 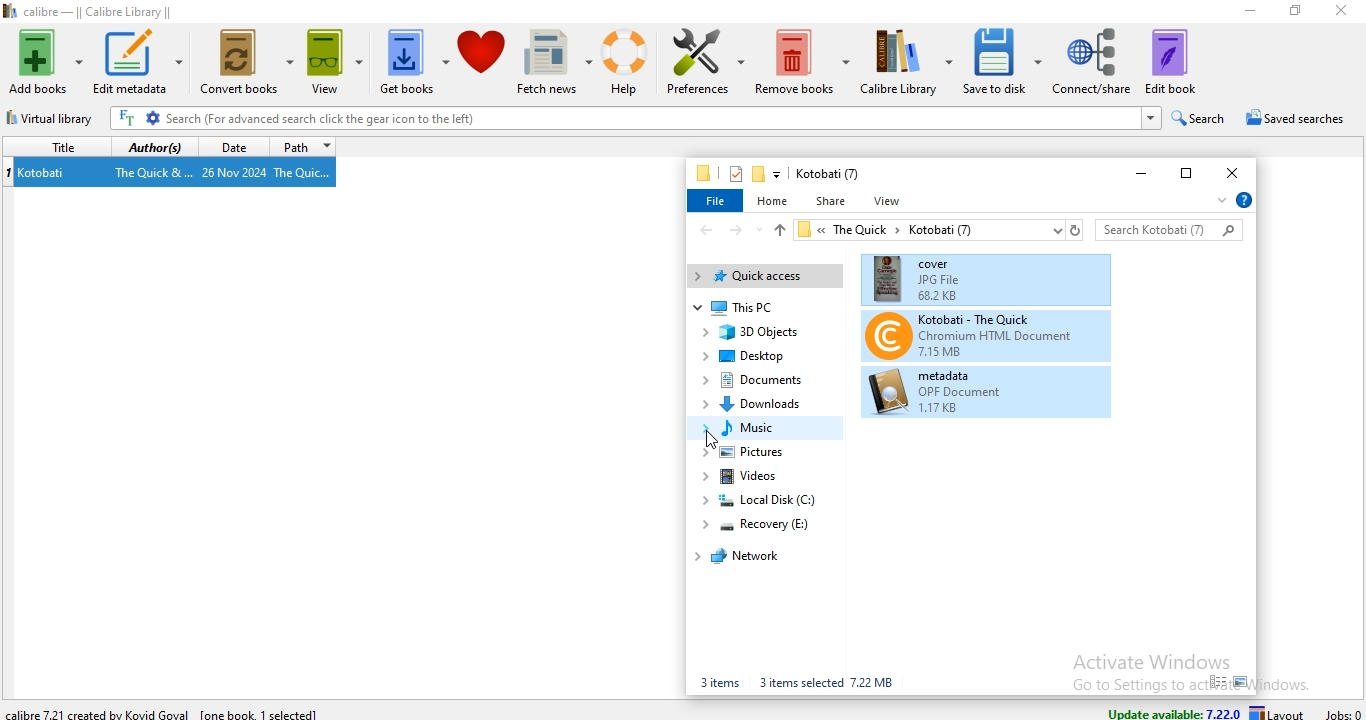 What do you see at coordinates (414, 63) in the screenshot?
I see `get books` at bounding box center [414, 63].